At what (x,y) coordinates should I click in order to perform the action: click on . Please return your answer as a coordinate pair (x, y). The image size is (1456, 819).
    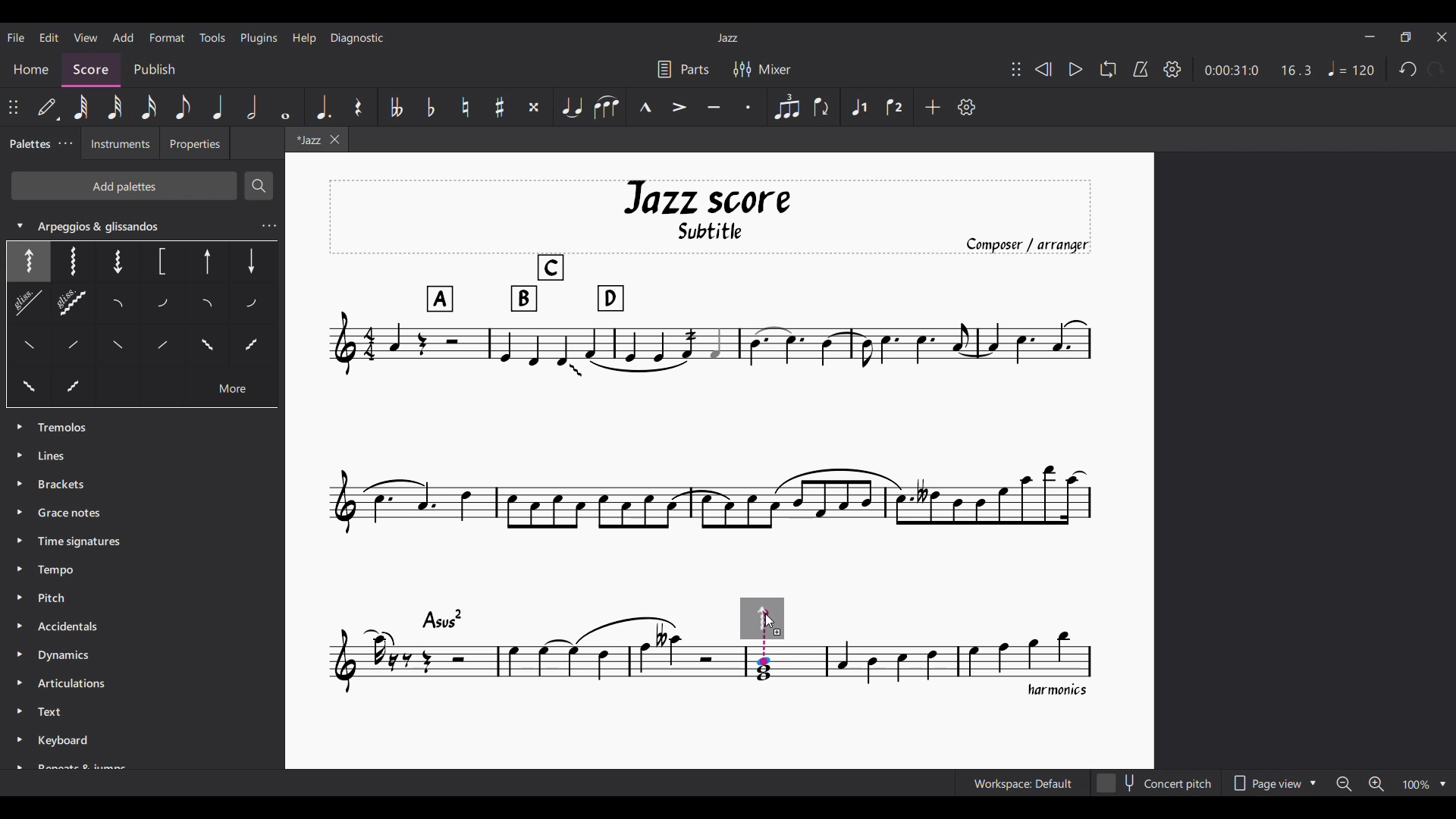
    Looking at the image, I should click on (74, 347).